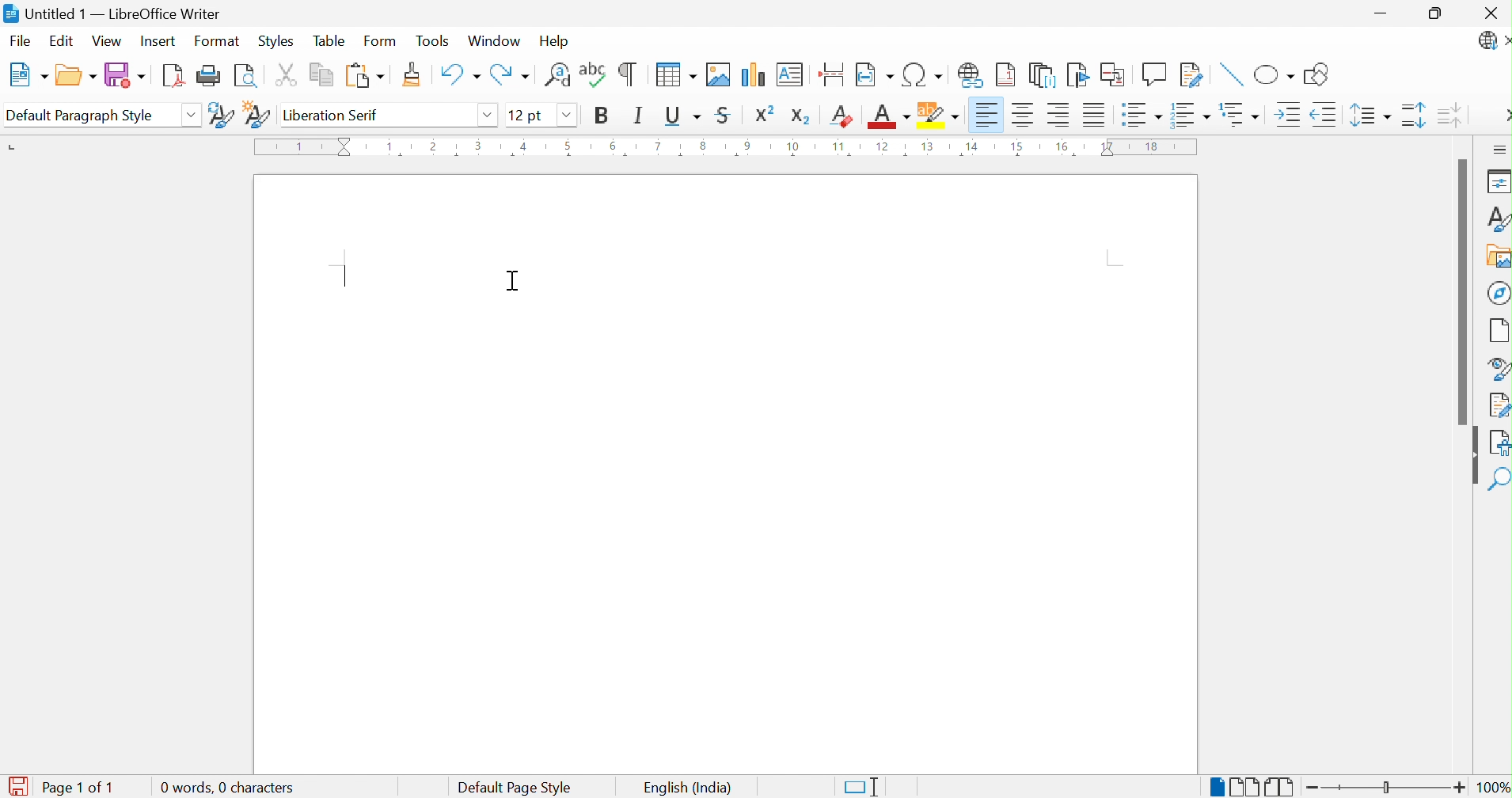  Describe the element at coordinates (218, 42) in the screenshot. I see `Format` at that location.